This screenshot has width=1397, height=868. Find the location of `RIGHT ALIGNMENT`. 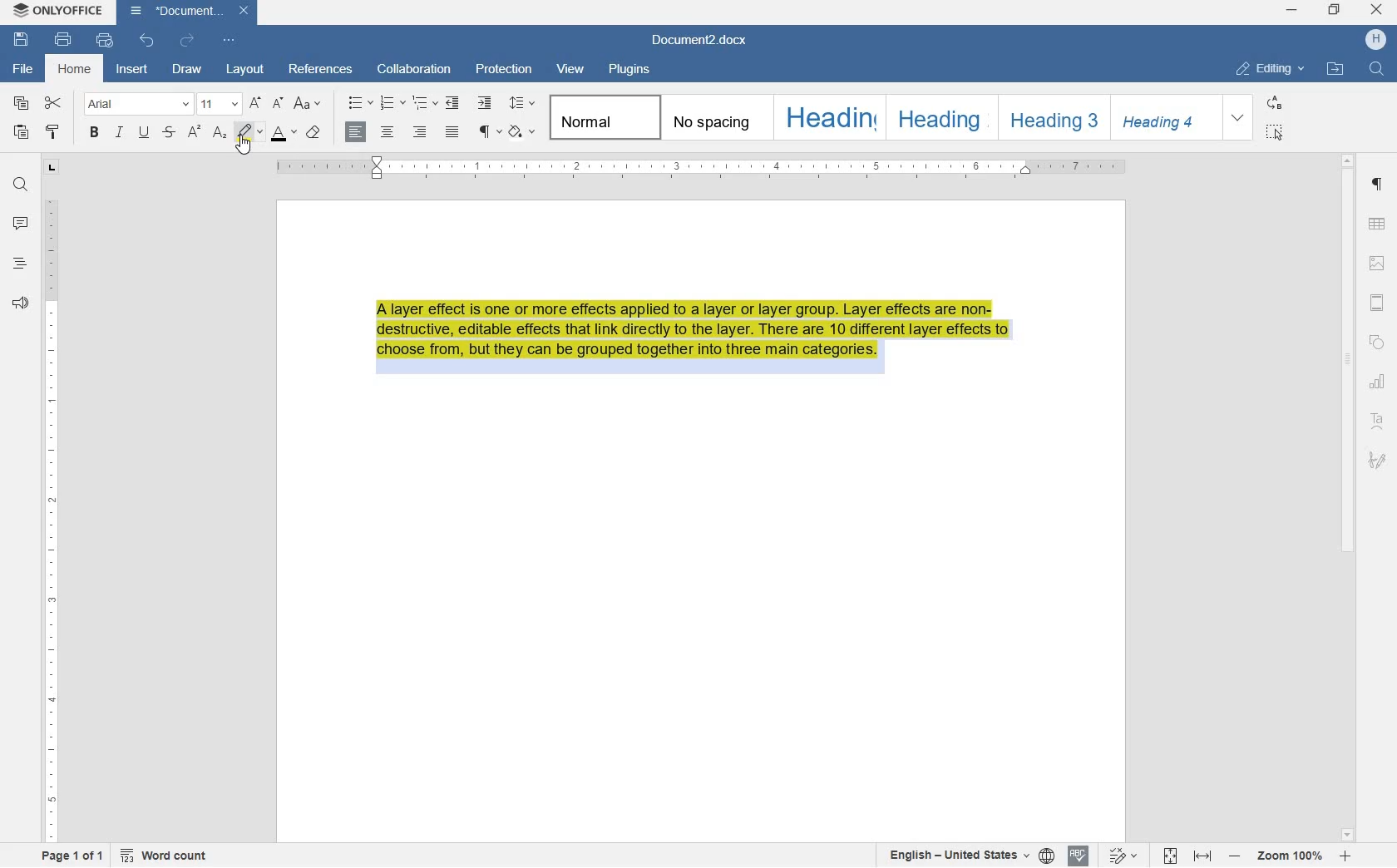

RIGHT ALIGNMENT is located at coordinates (418, 133).